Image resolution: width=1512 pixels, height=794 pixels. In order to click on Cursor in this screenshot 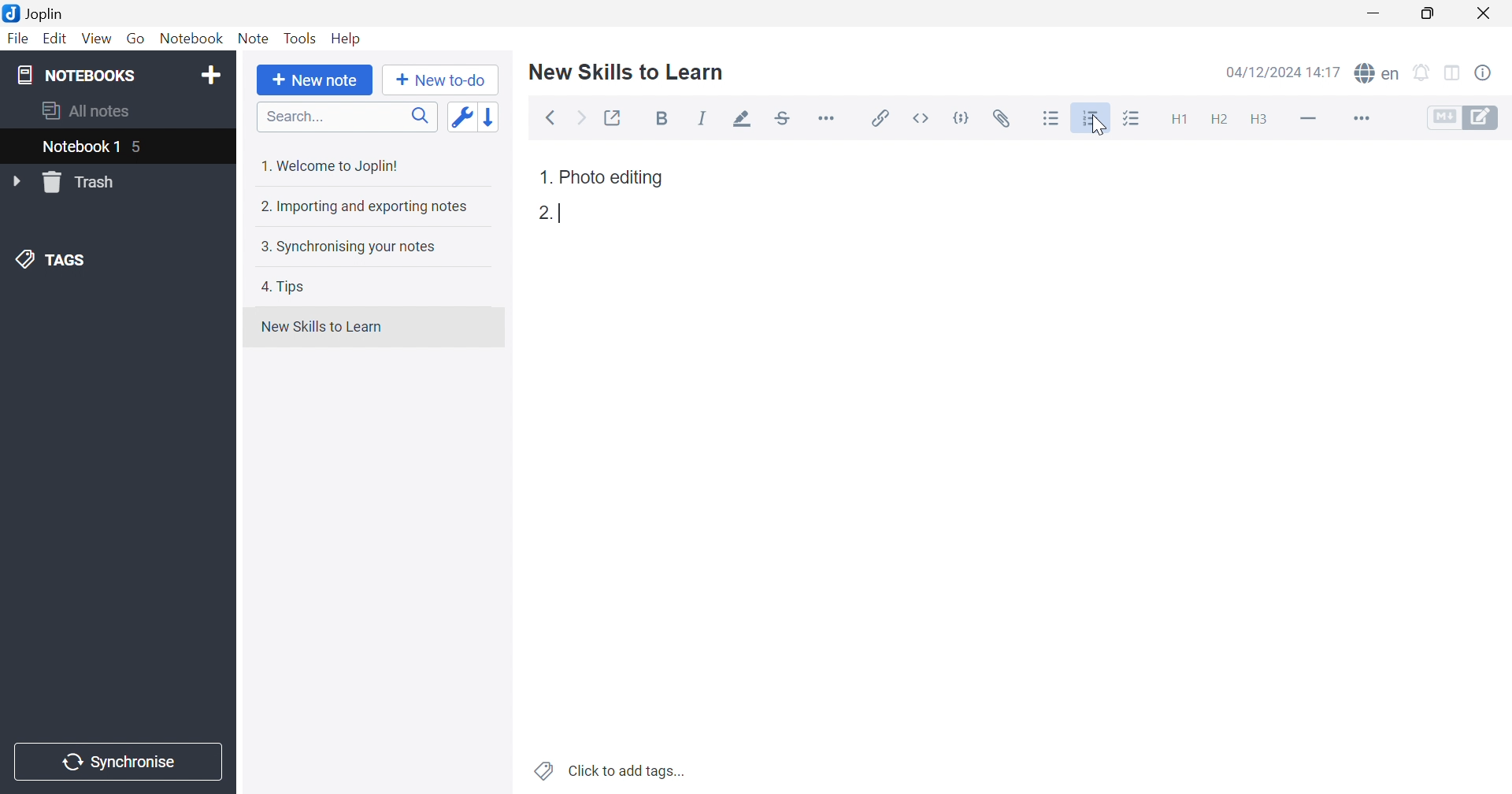, I will do `click(1101, 125)`.